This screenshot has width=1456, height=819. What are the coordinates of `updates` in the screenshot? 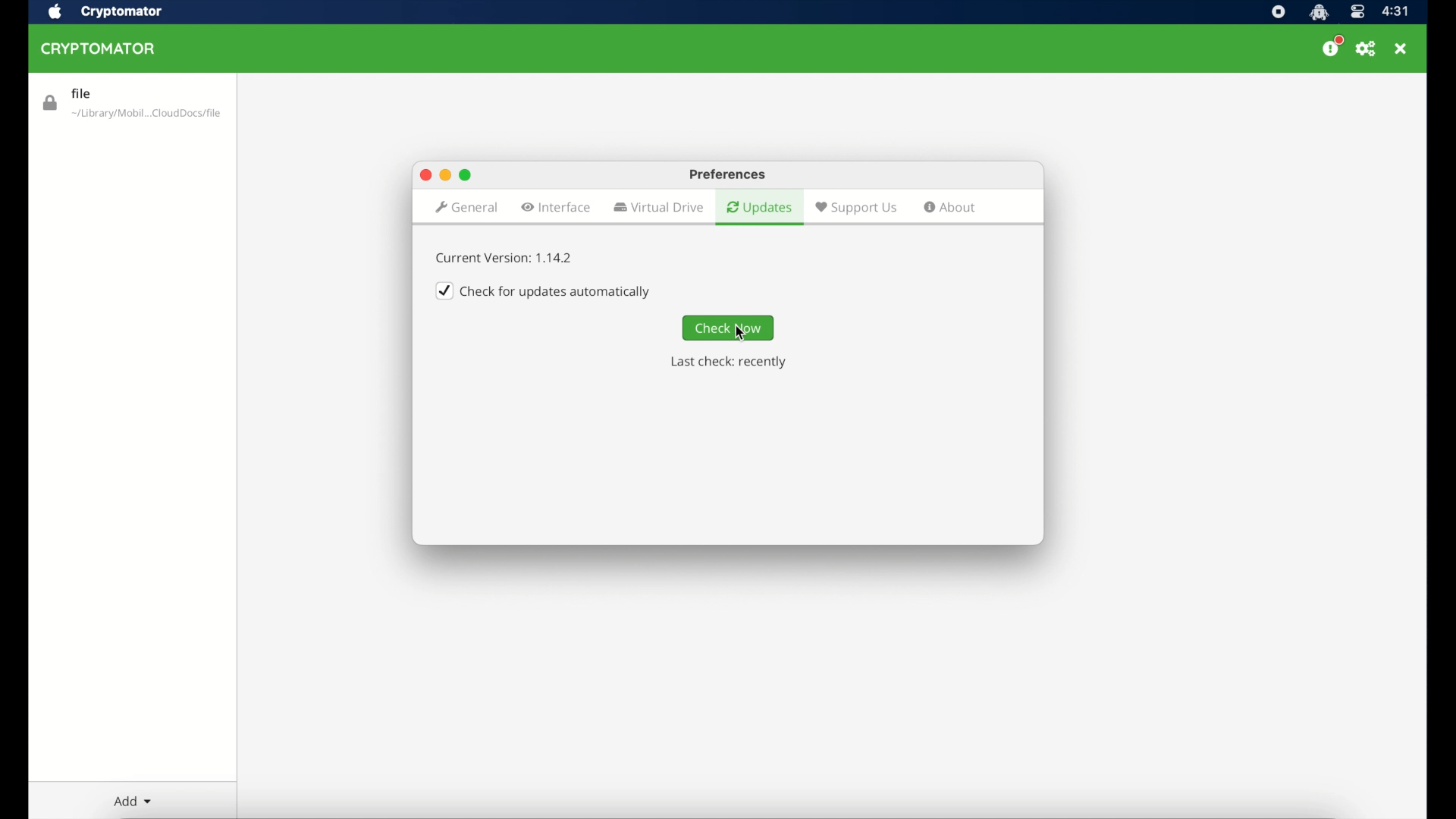 It's located at (759, 207).